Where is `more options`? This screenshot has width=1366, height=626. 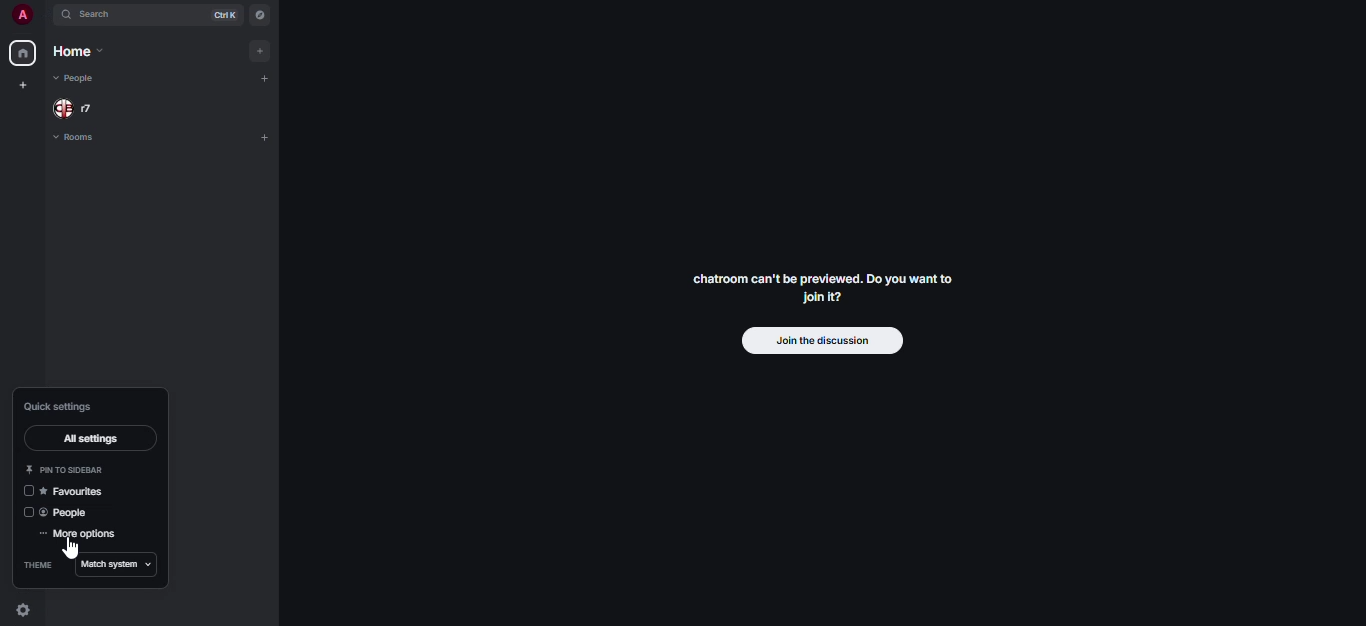
more options is located at coordinates (81, 534).